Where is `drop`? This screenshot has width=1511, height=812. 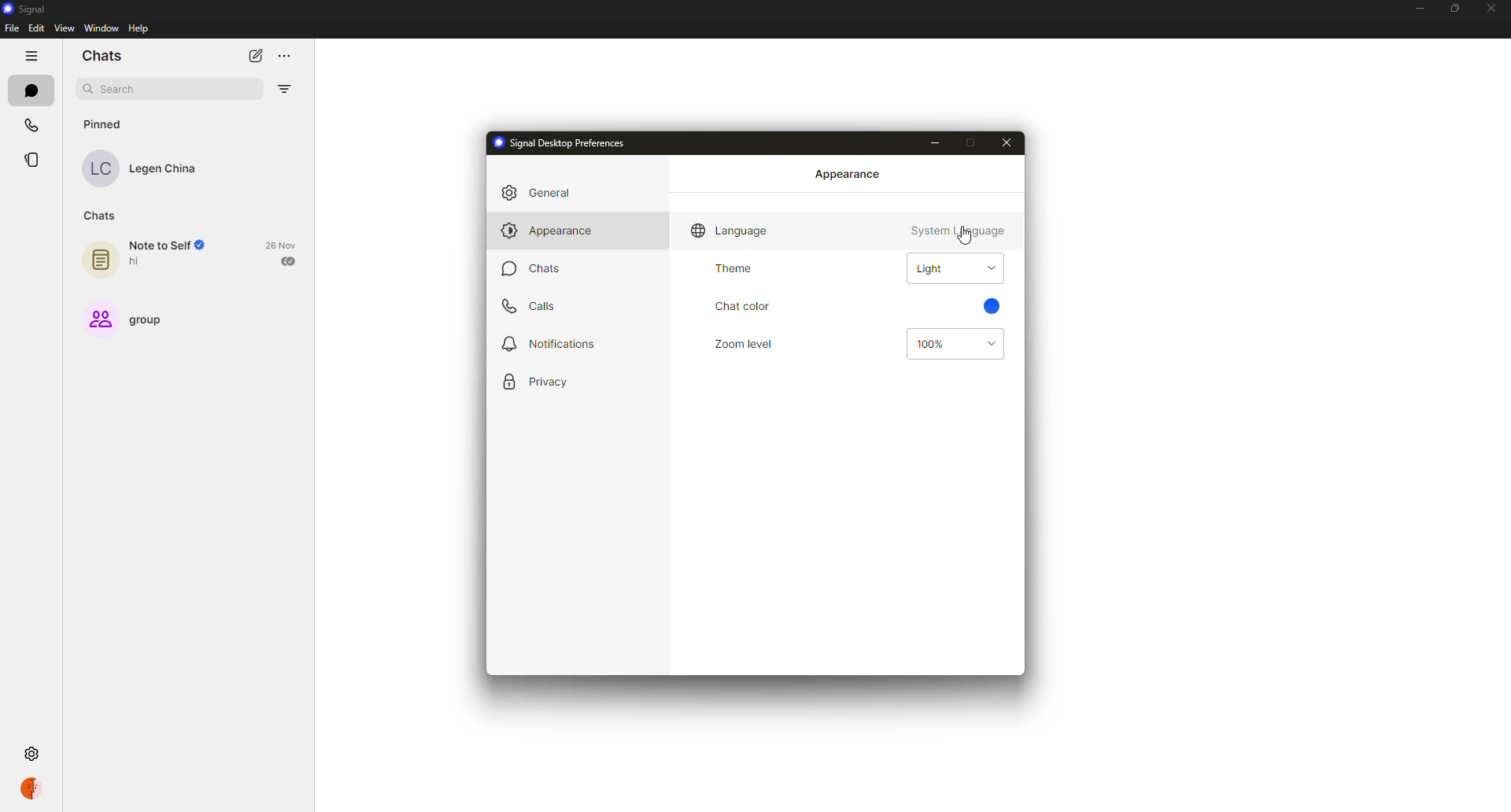
drop is located at coordinates (989, 268).